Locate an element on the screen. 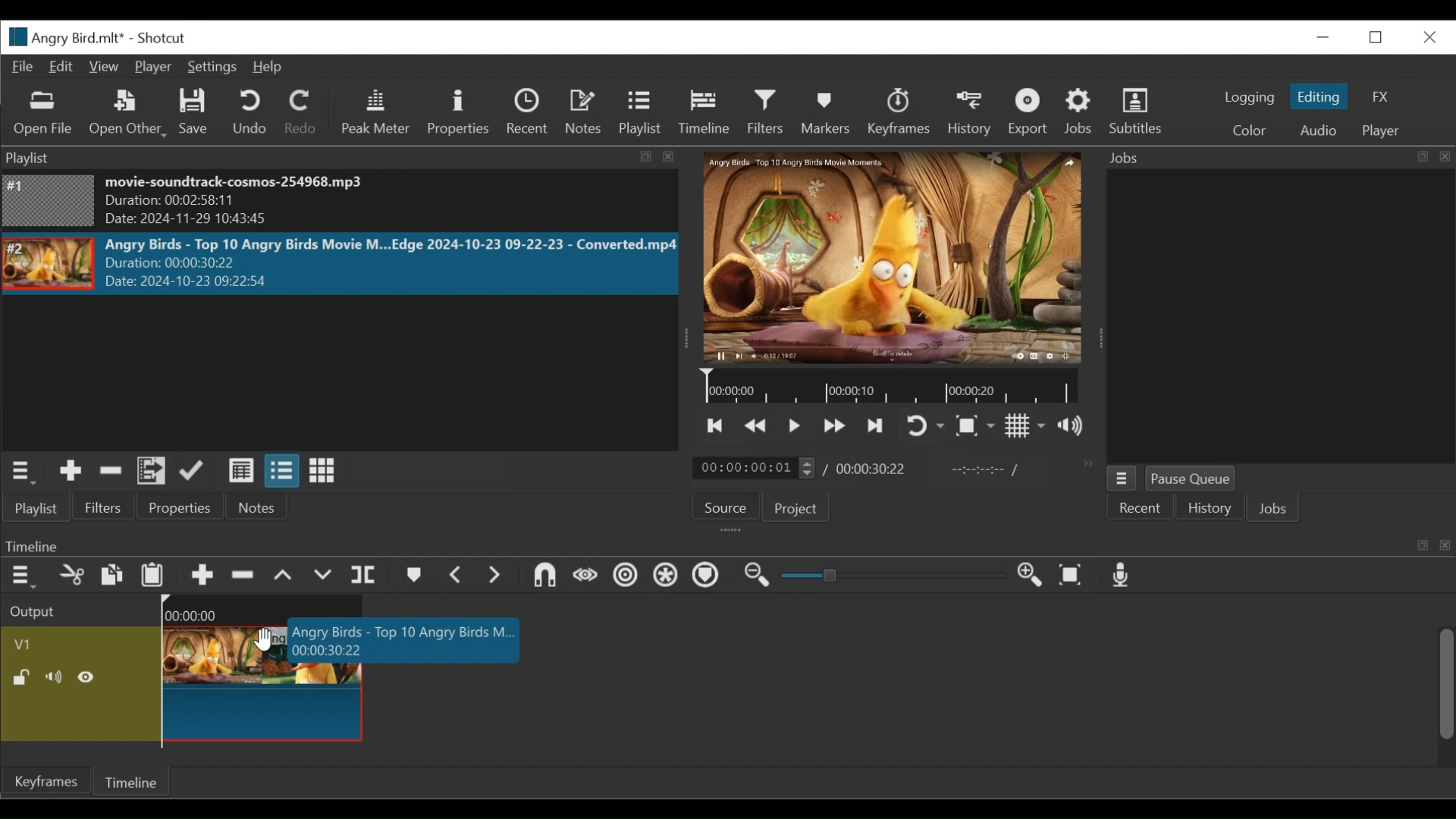 The height and width of the screenshot is (819, 1456). File Name is located at coordinates (65, 36).